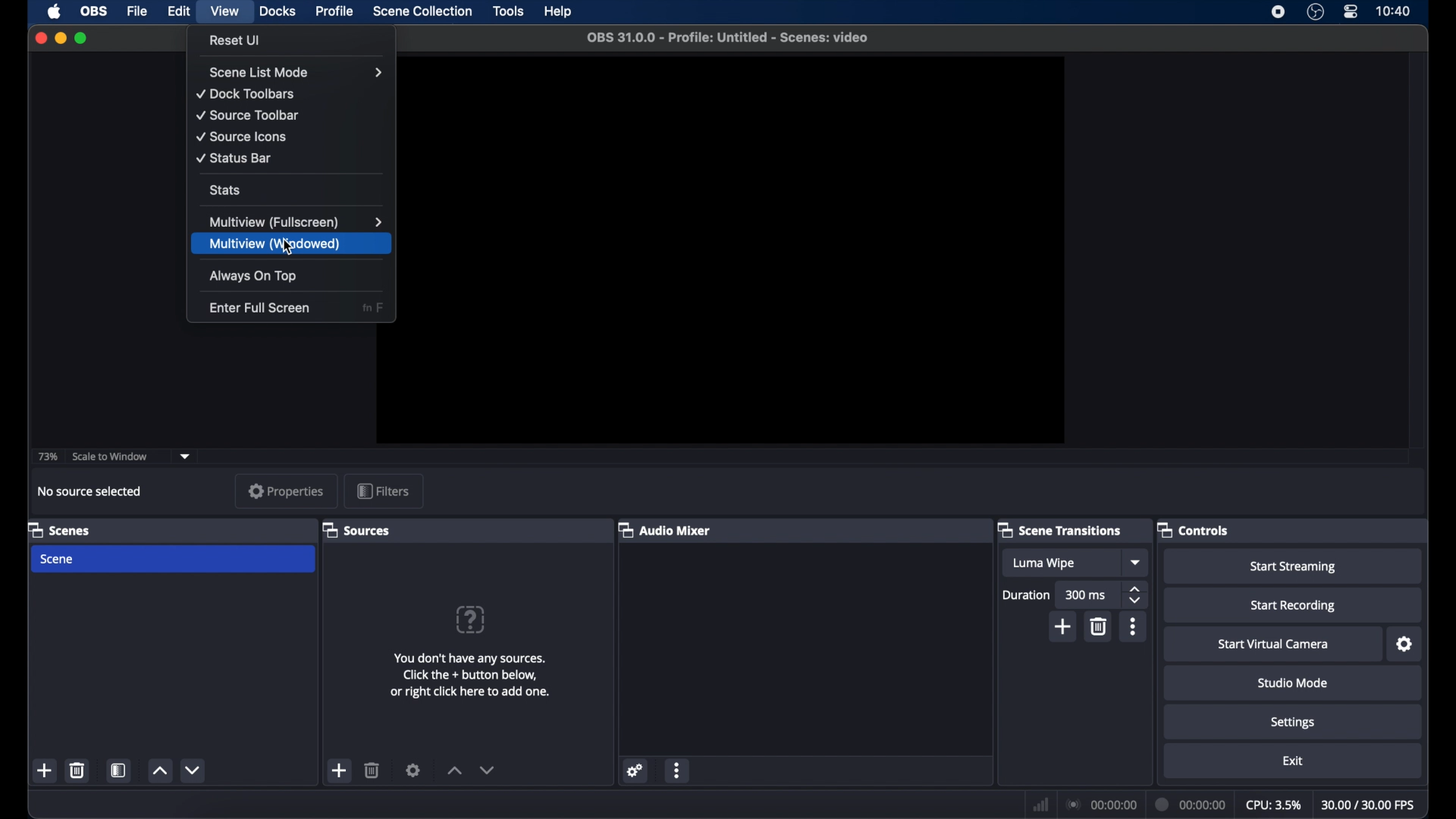 The width and height of the screenshot is (1456, 819). Describe the element at coordinates (1394, 11) in the screenshot. I see `10:40` at that location.